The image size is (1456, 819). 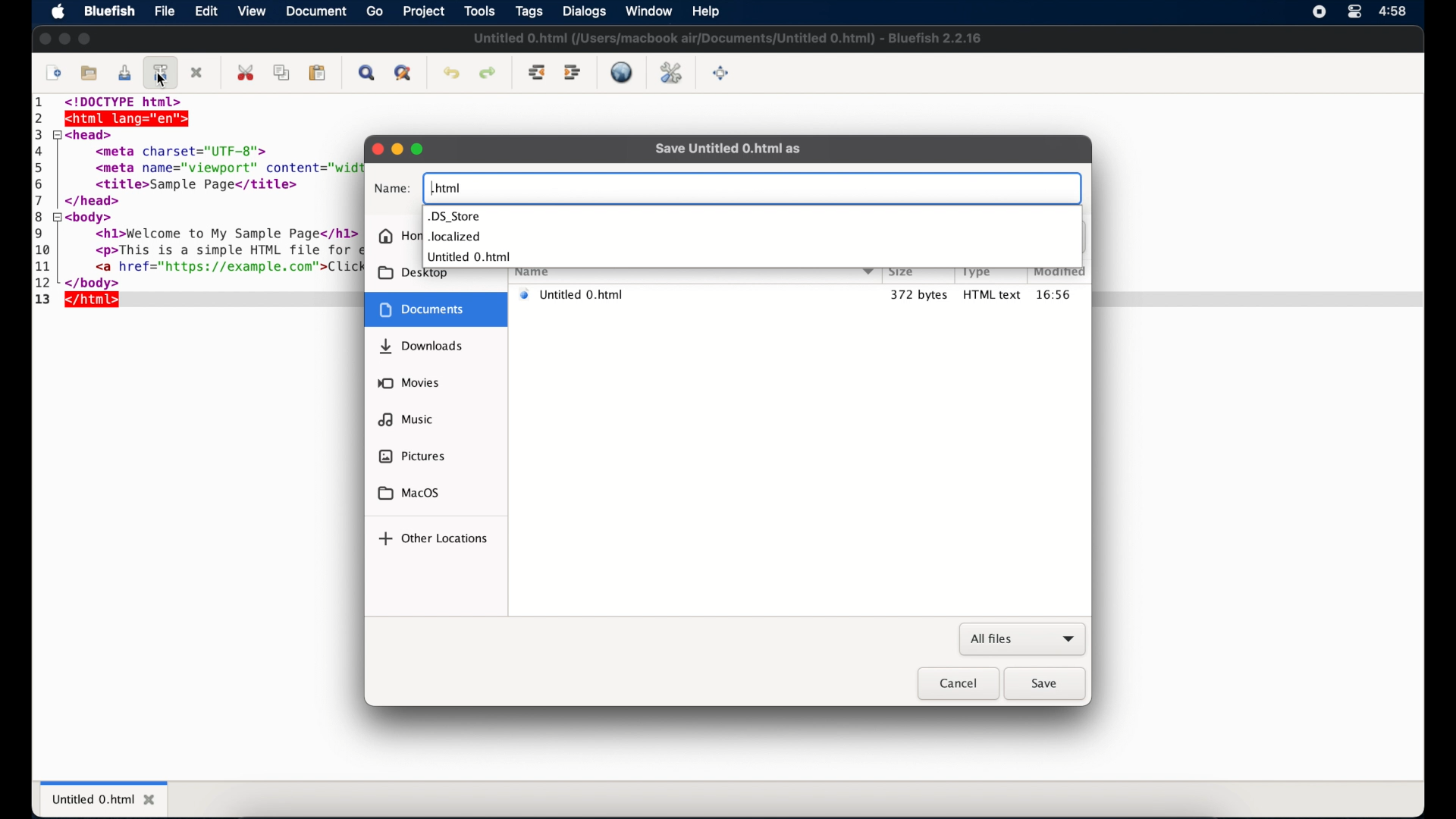 What do you see at coordinates (540, 271) in the screenshot?
I see `name` at bounding box center [540, 271].